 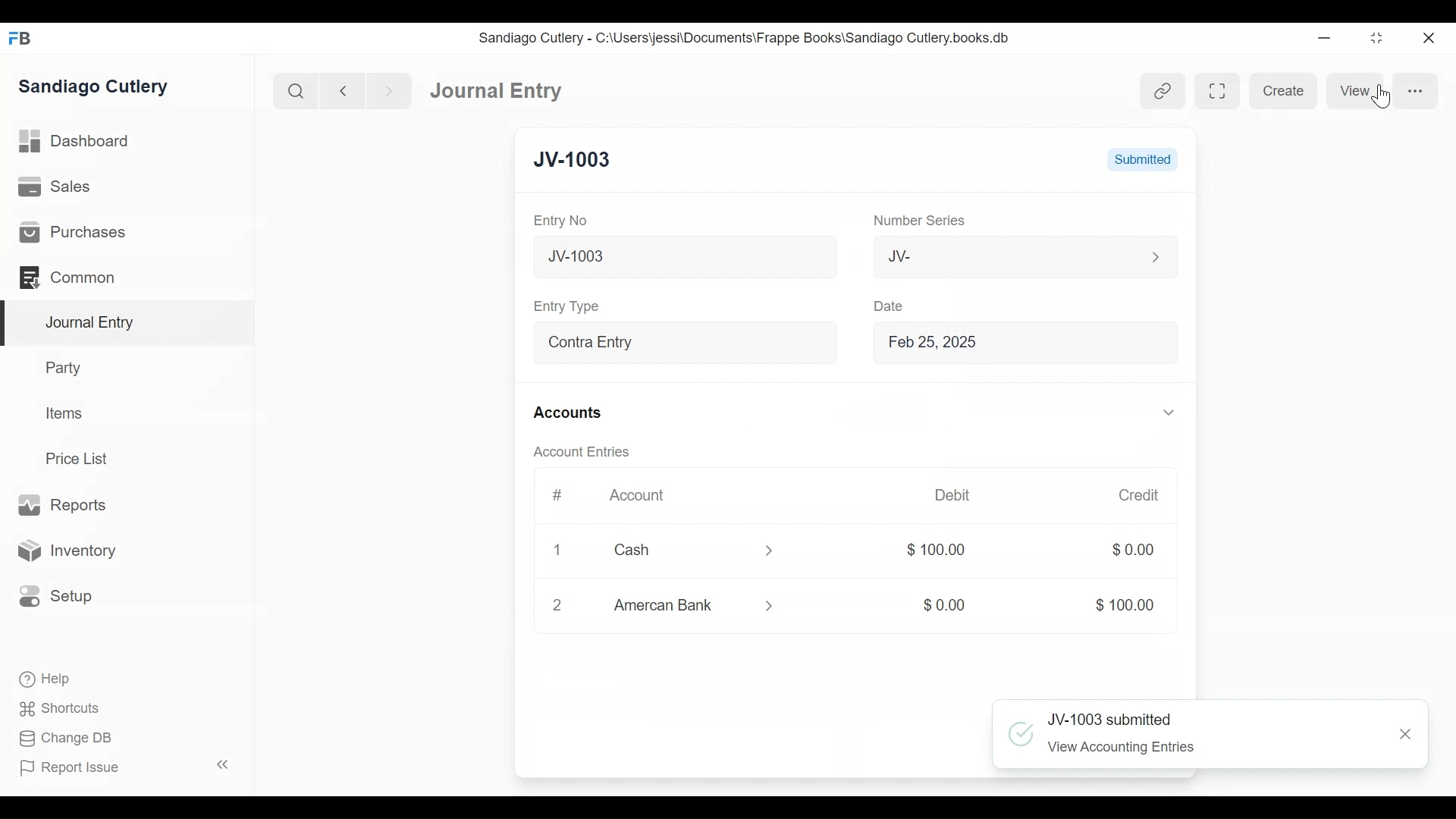 What do you see at coordinates (886, 306) in the screenshot?
I see `Date` at bounding box center [886, 306].